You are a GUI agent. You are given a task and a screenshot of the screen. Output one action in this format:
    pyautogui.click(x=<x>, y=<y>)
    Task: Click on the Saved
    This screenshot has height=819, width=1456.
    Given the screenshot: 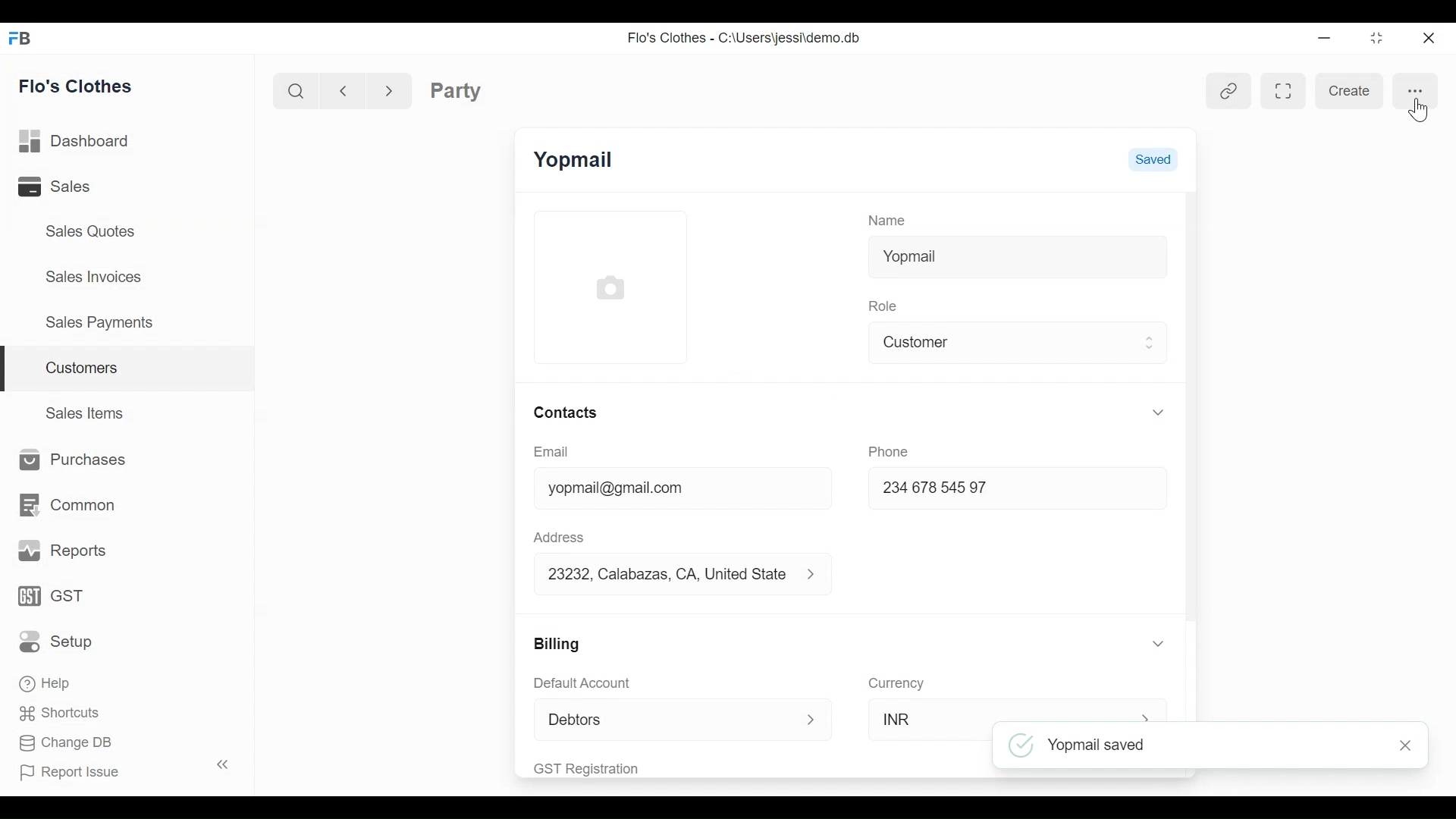 What is the action you would take?
    pyautogui.click(x=1153, y=159)
    